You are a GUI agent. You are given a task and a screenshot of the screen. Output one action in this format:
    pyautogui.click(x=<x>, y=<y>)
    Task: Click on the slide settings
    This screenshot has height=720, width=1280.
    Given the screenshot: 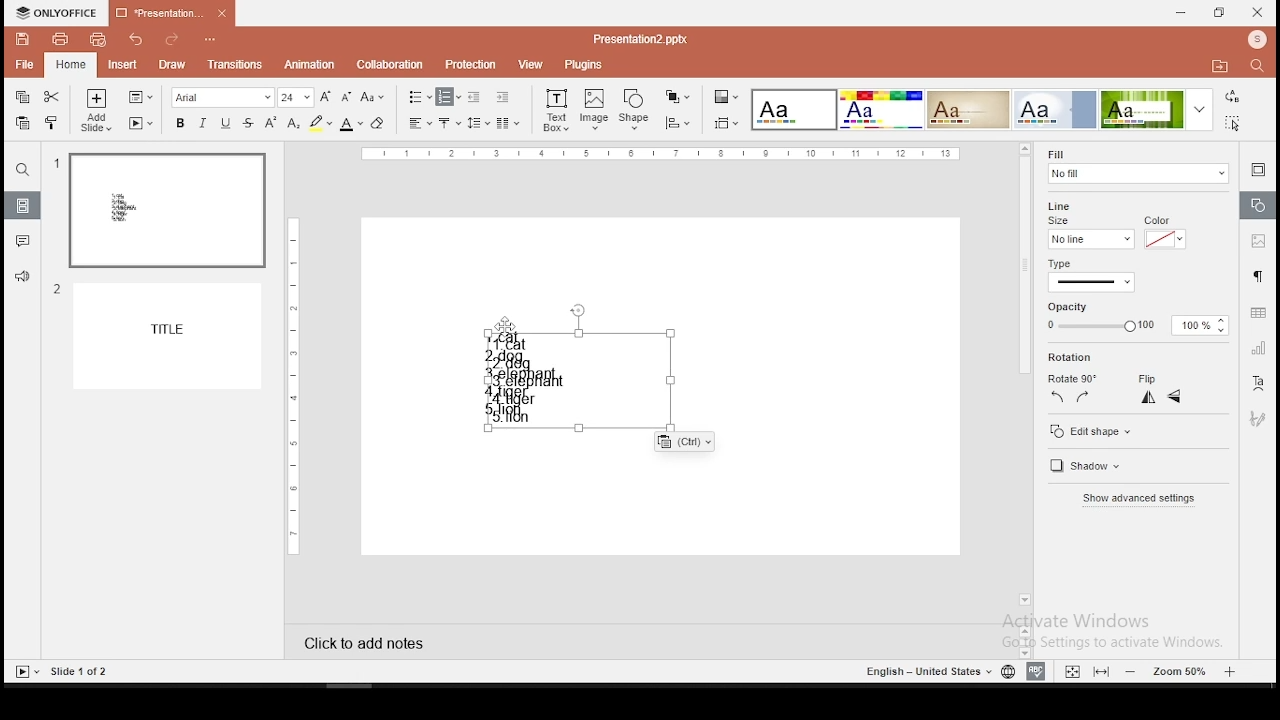 What is the action you would take?
    pyautogui.click(x=1258, y=172)
    